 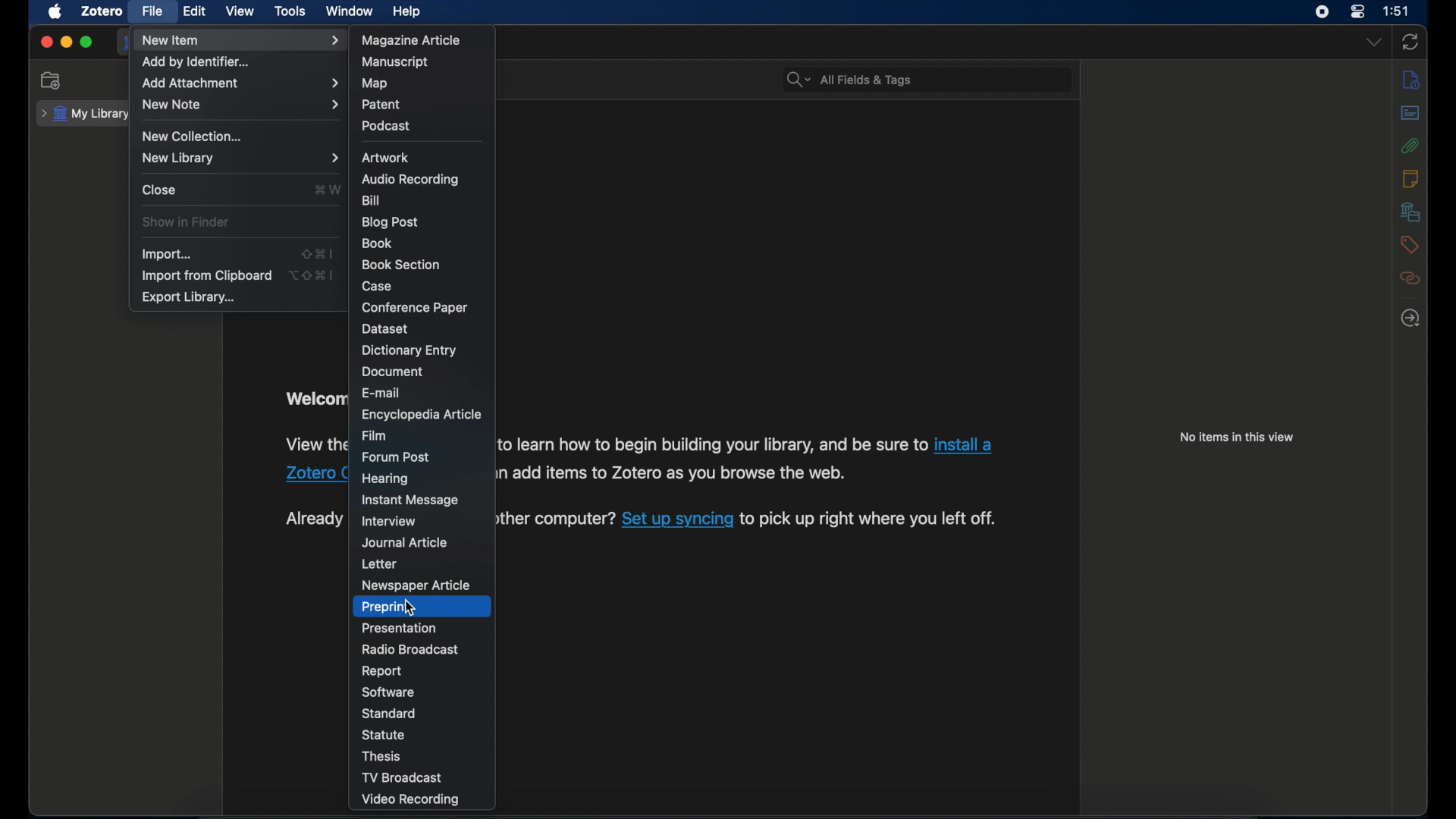 I want to click on show in finder, so click(x=185, y=221).